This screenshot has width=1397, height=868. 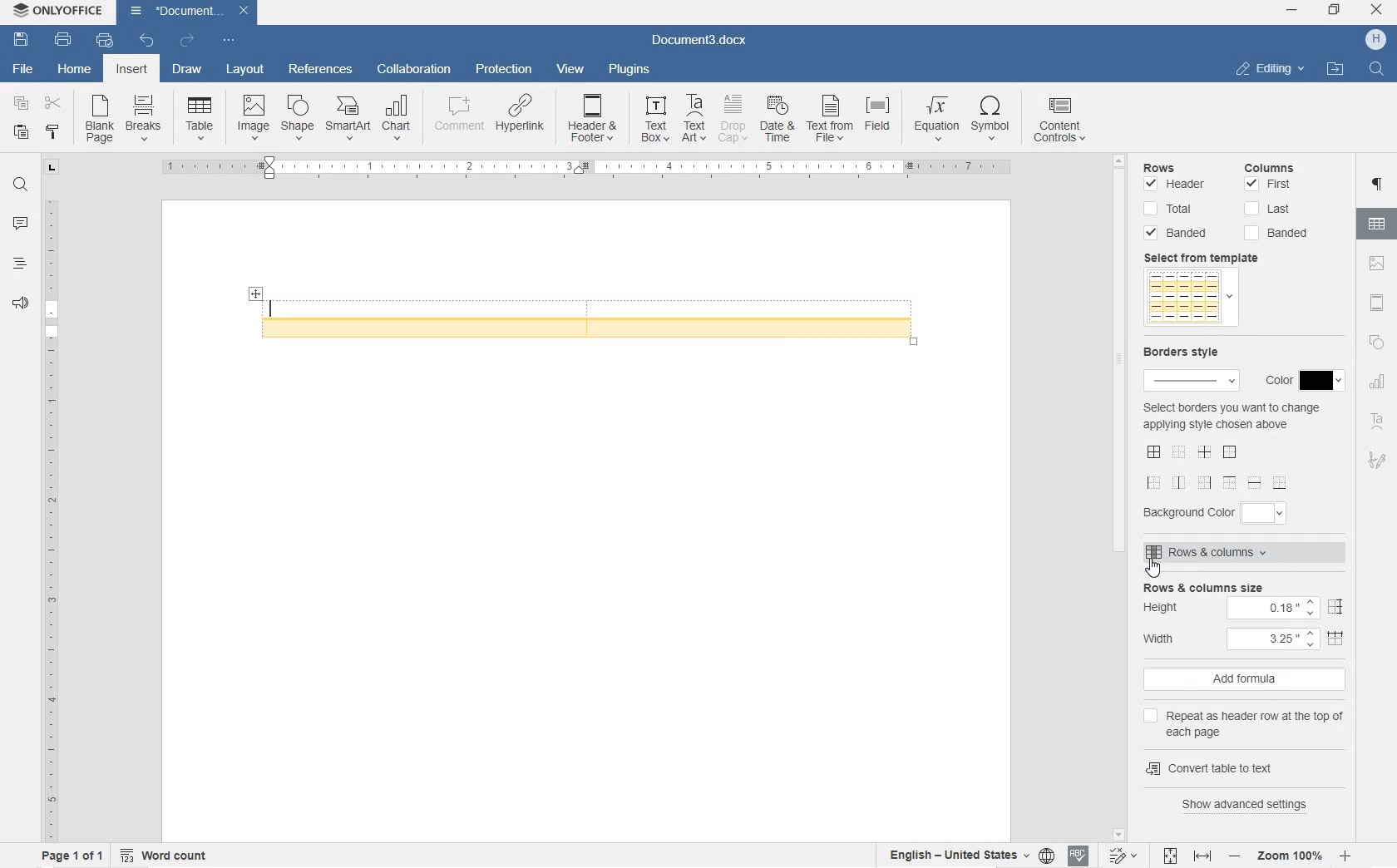 I want to click on Date & Time, so click(x=779, y=121).